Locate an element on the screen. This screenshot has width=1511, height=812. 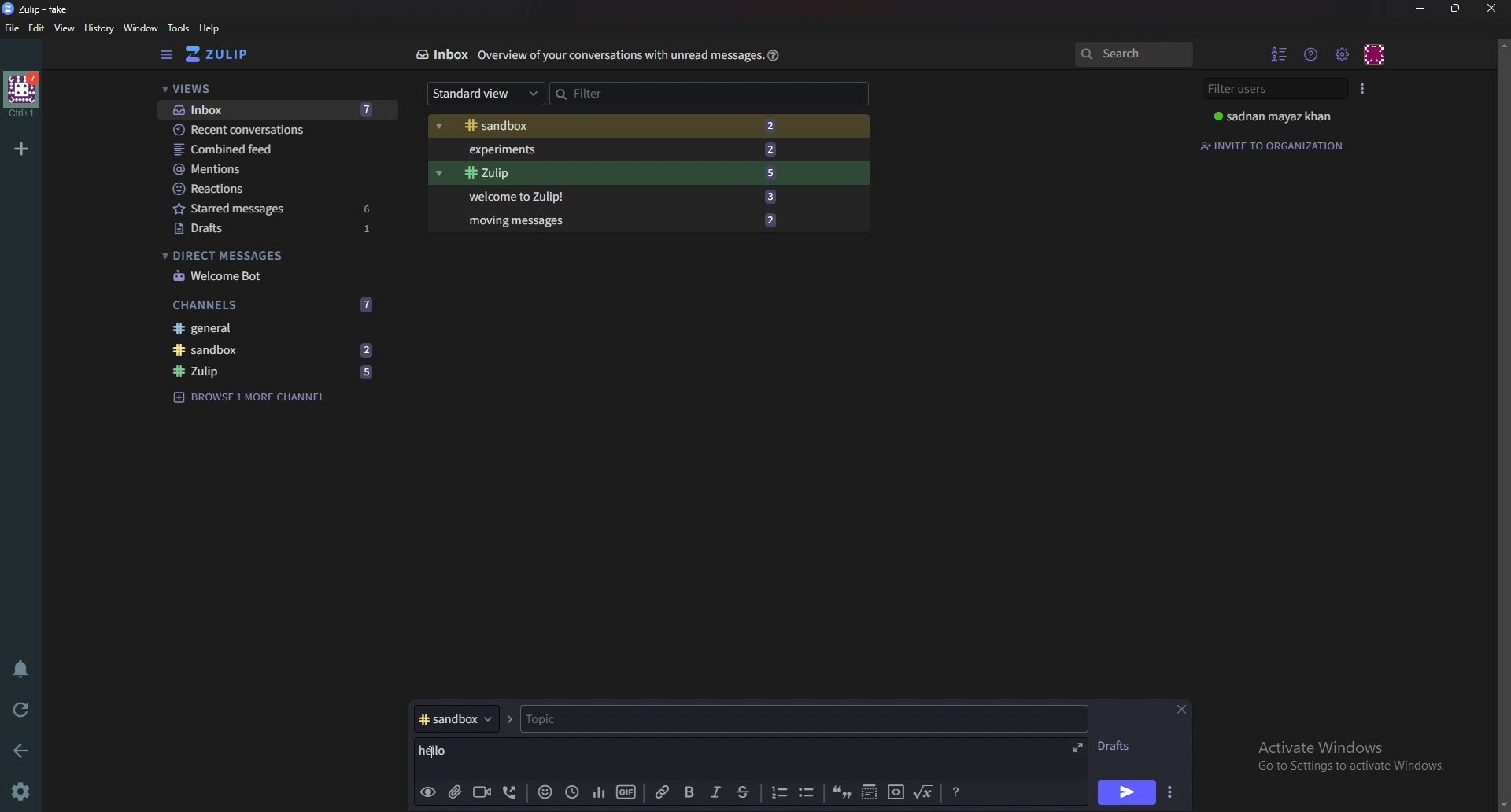
Strike through is located at coordinates (744, 792).